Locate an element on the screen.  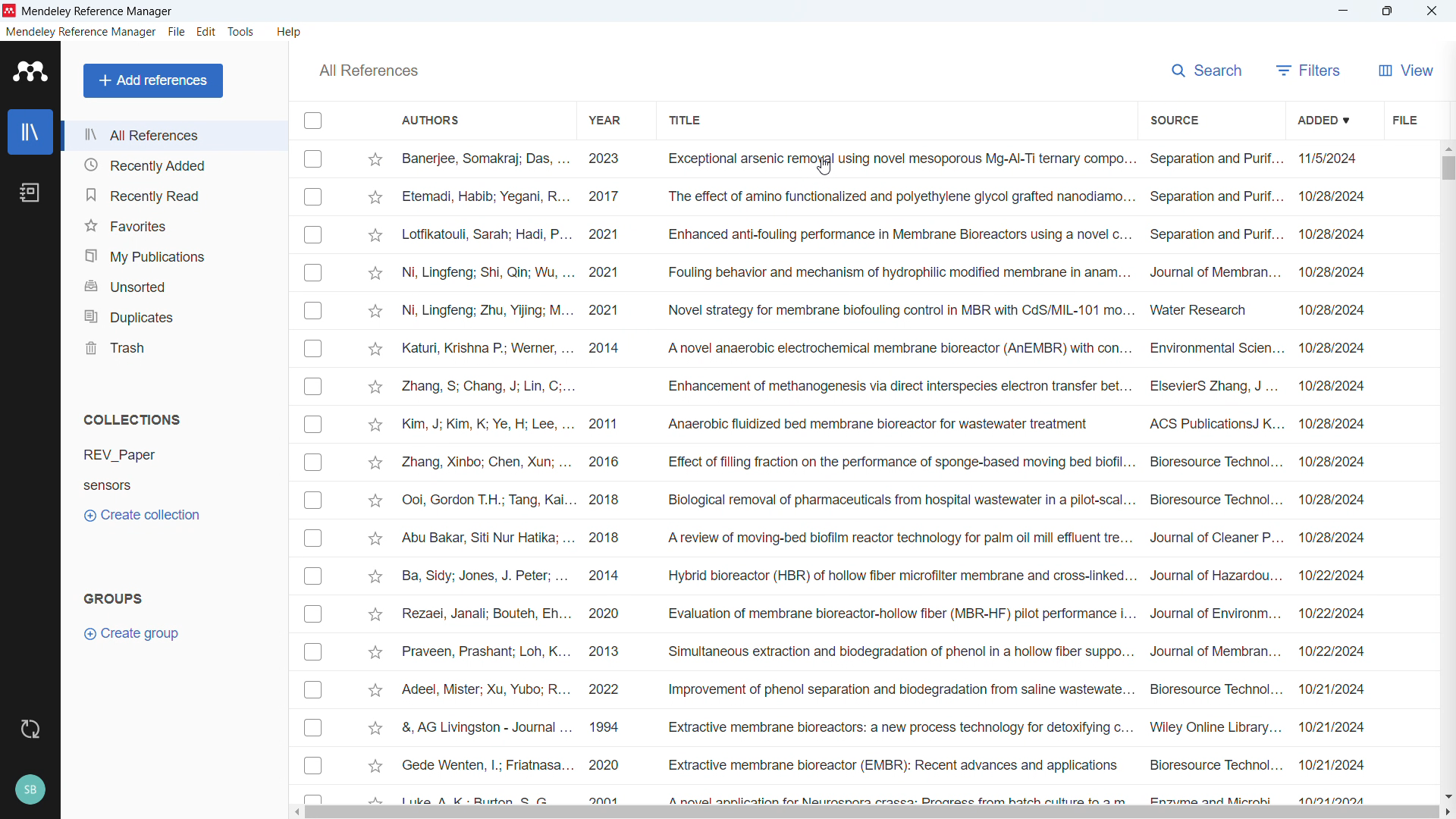
unsorted is located at coordinates (174, 284).